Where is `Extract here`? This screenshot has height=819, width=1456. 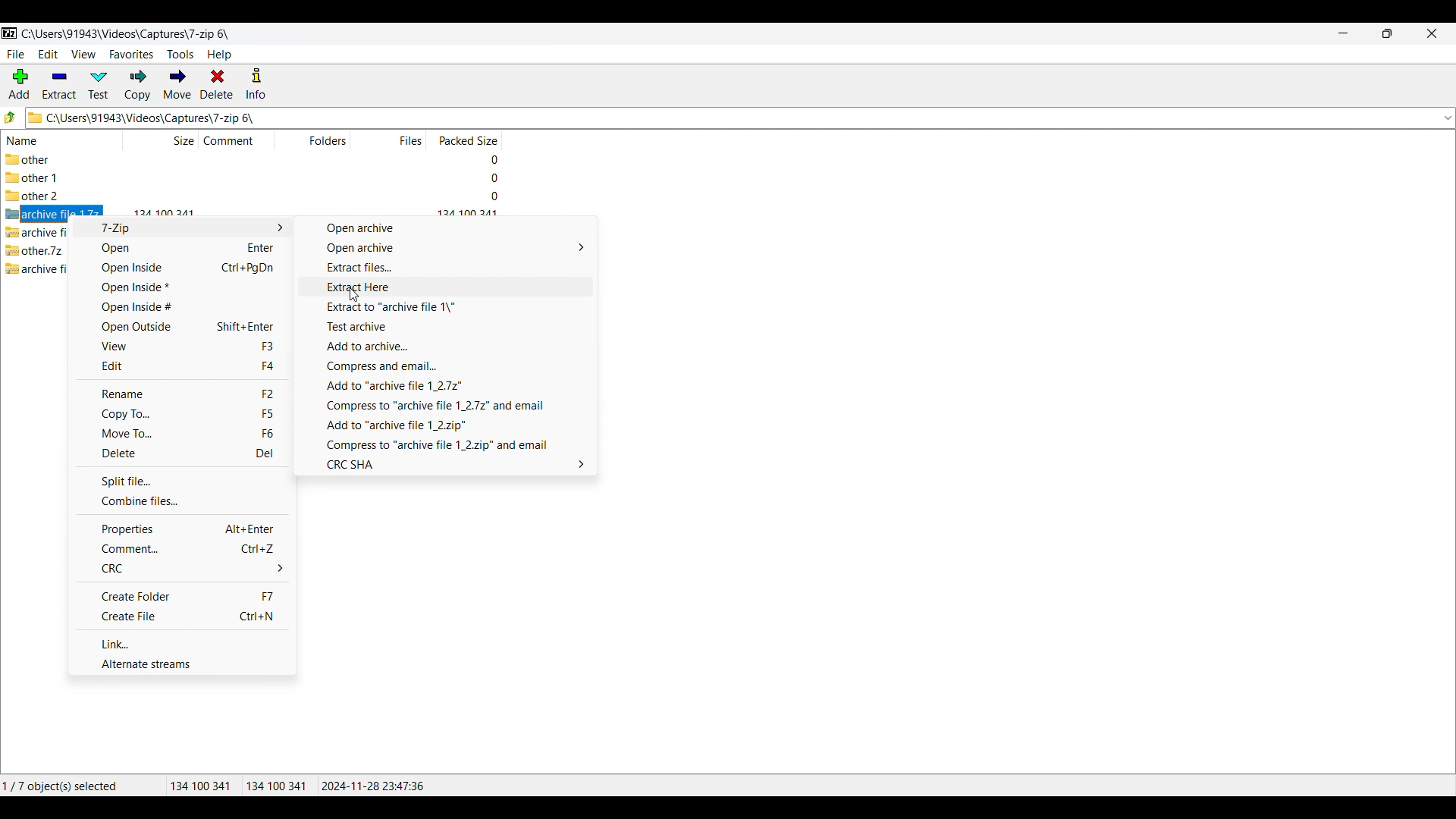 Extract here is located at coordinates (447, 287).